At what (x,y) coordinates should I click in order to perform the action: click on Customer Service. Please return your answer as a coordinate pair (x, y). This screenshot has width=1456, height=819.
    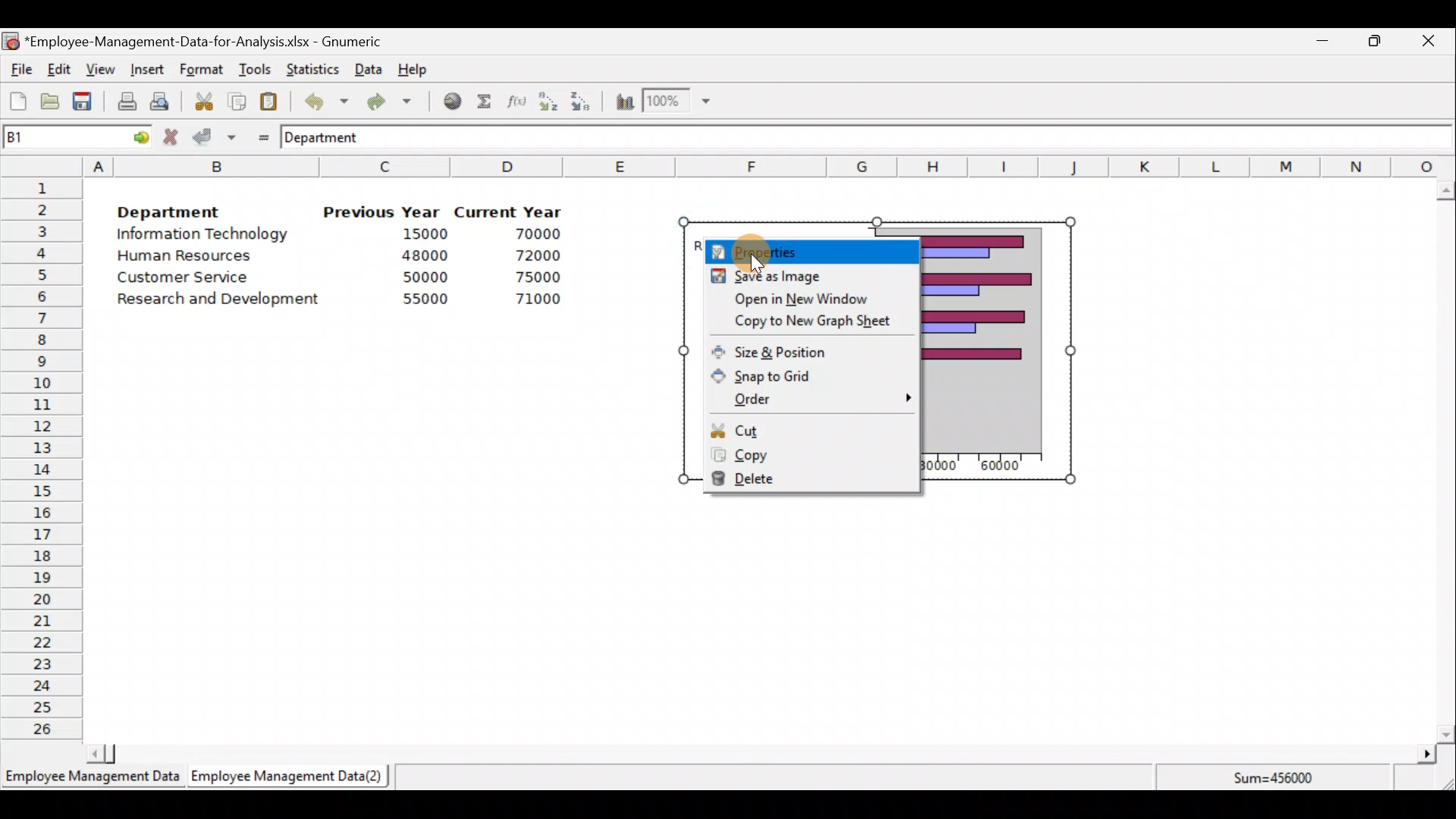
    Looking at the image, I should click on (187, 281).